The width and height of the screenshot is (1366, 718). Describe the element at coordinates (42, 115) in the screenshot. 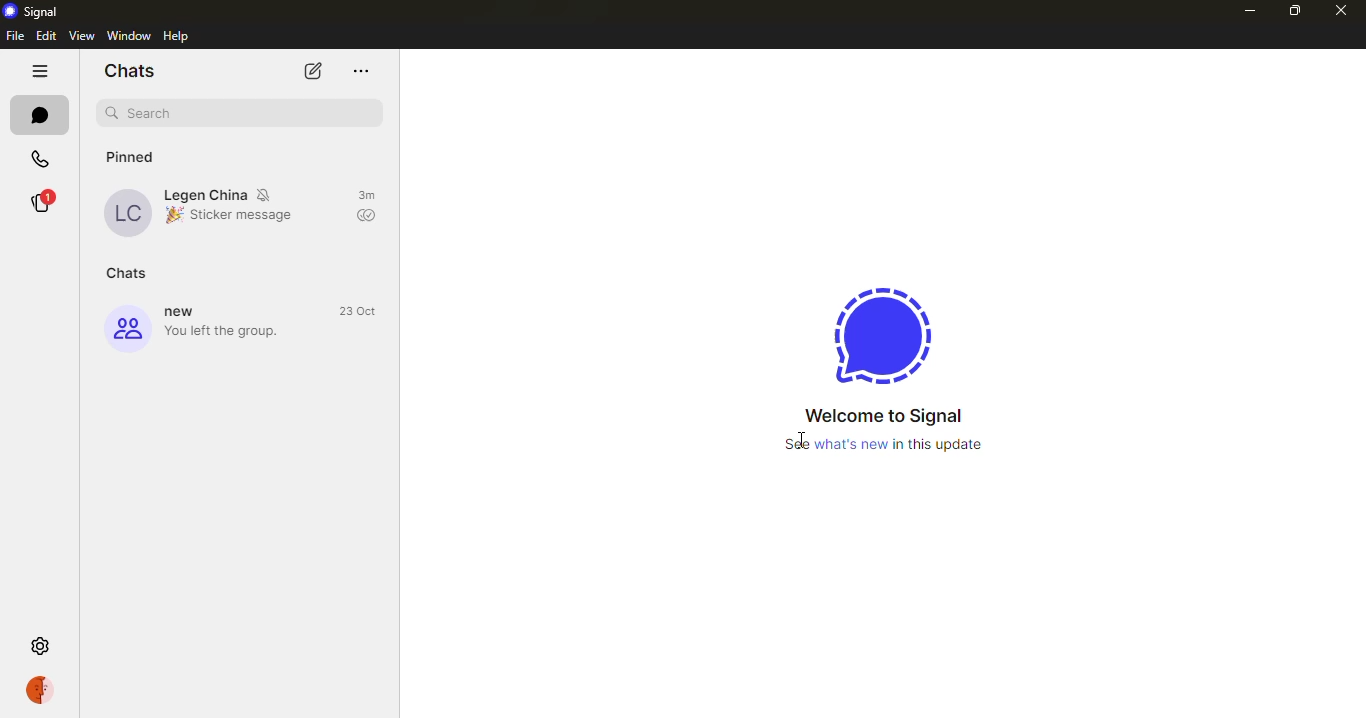

I see `chats` at that location.